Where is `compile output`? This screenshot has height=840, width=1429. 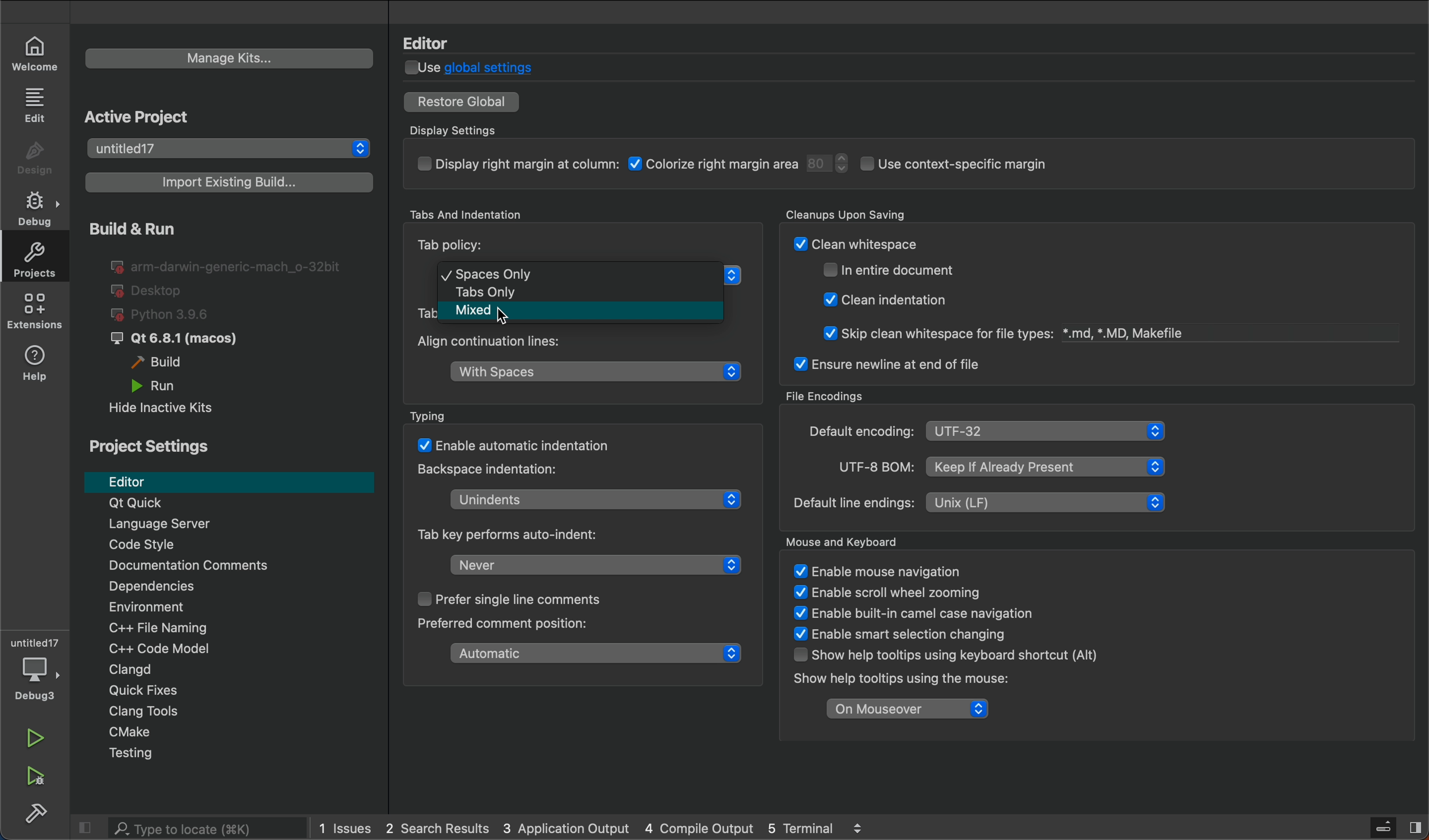
compile output is located at coordinates (698, 828).